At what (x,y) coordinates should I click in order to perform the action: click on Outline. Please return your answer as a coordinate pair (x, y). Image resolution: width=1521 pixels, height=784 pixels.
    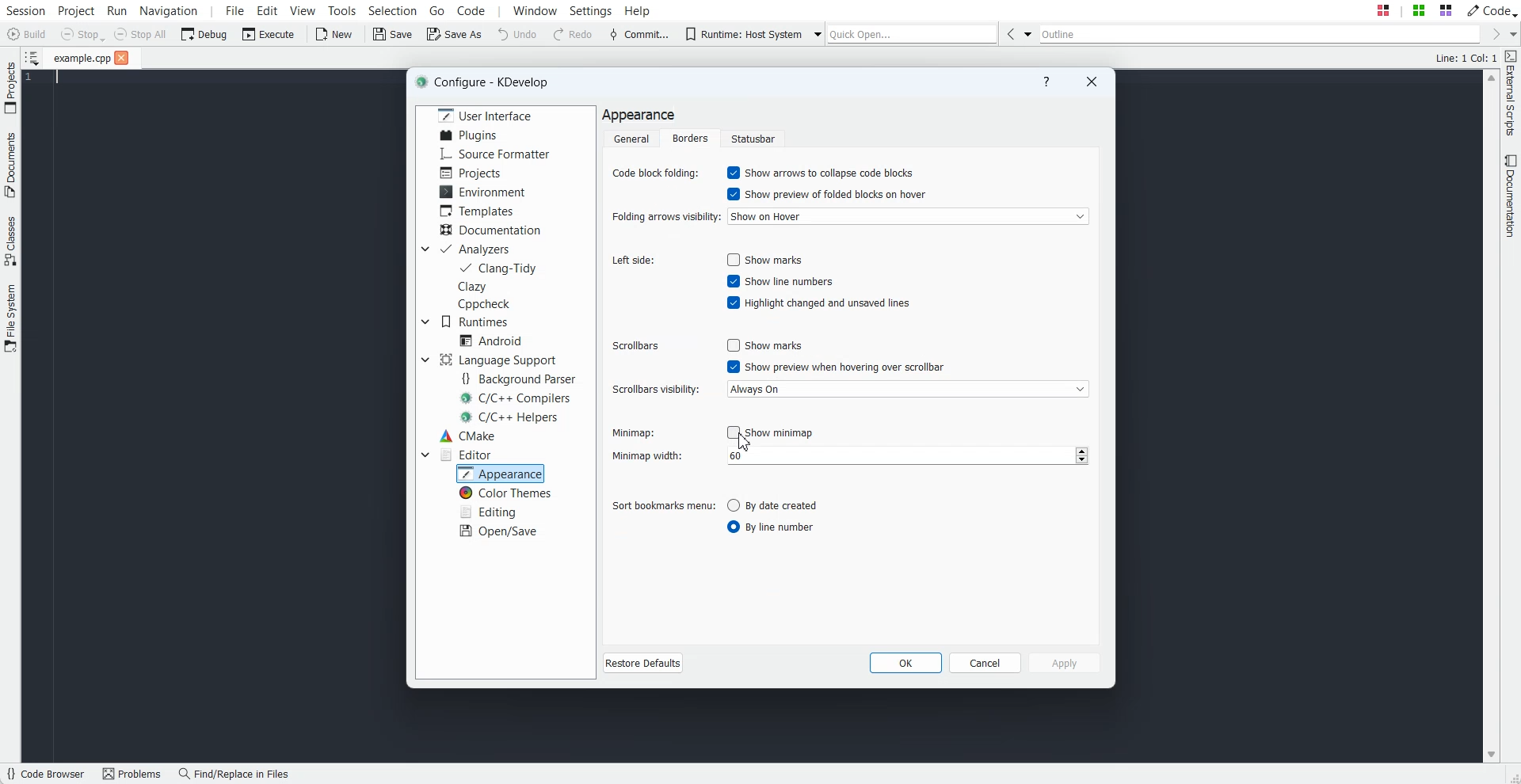
    Looking at the image, I should click on (1259, 33).